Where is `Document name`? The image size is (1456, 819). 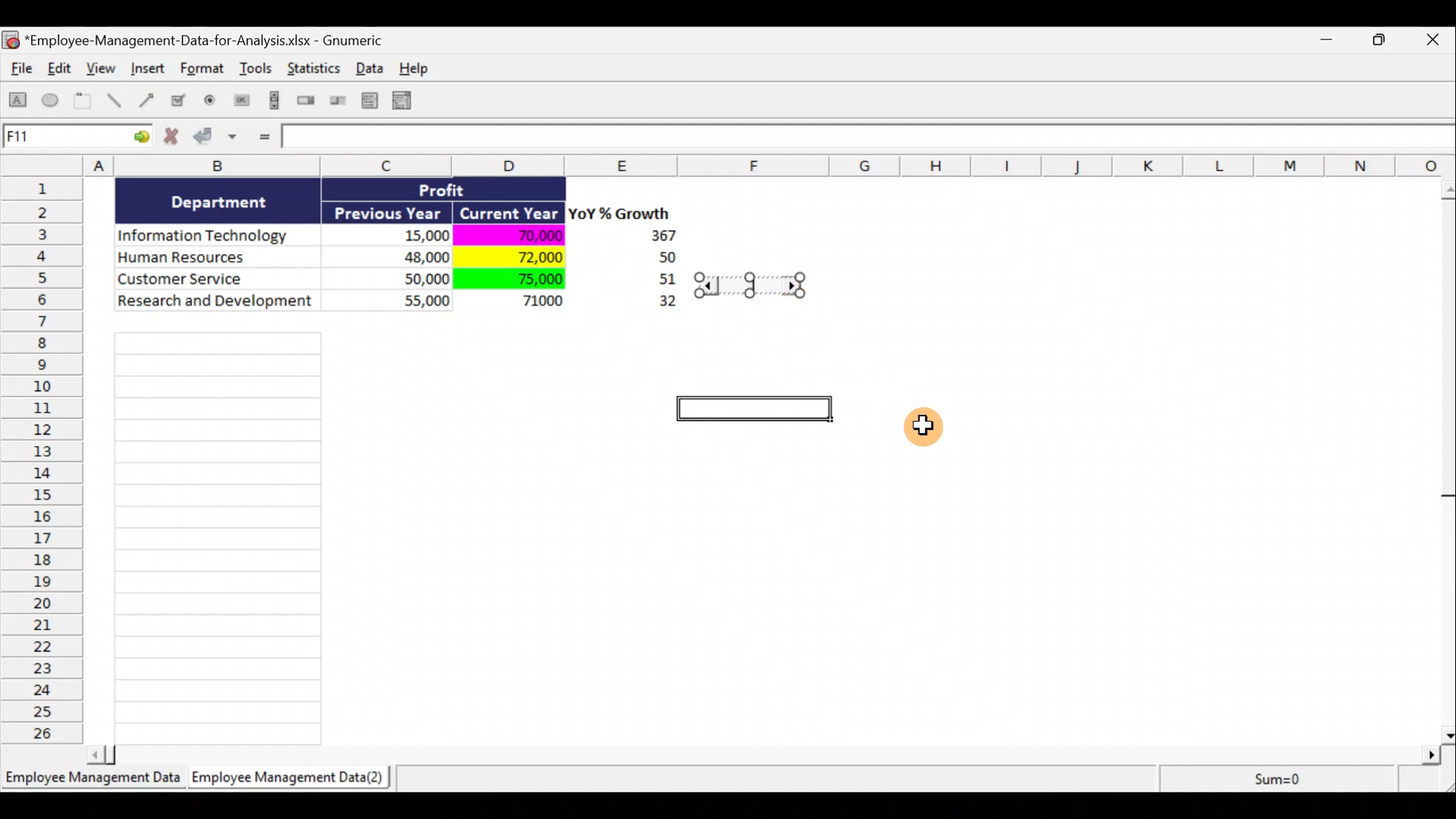 Document name is located at coordinates (201, 42).